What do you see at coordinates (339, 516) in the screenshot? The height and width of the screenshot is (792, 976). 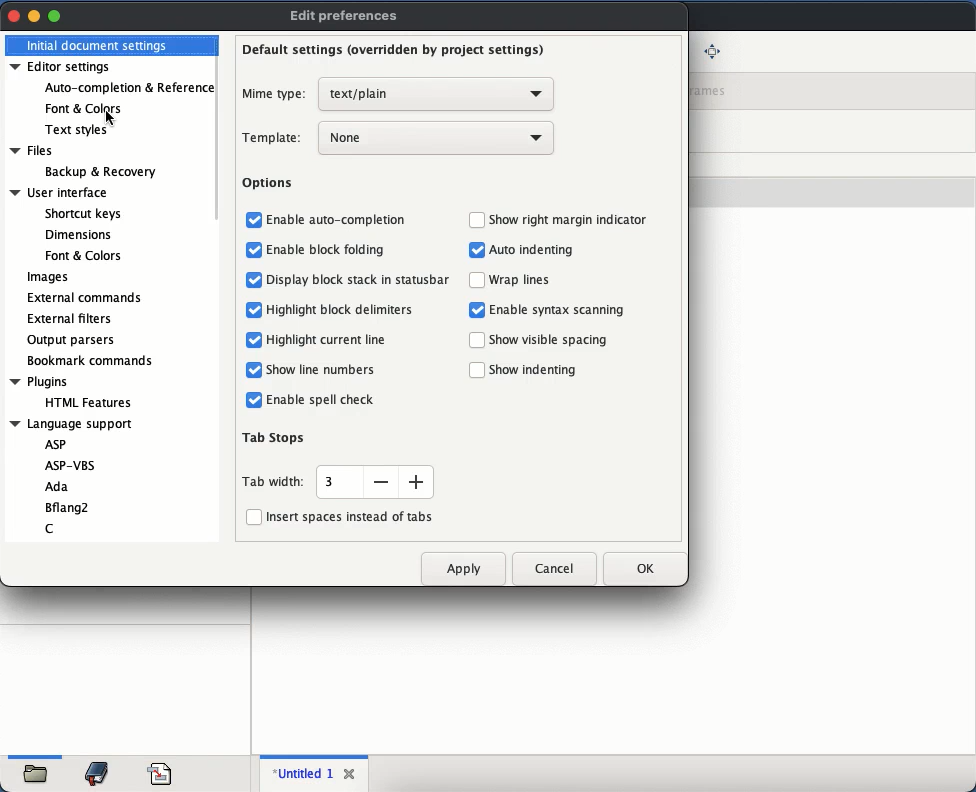 I see `insert spaces instead of tabs` at bounding box center [339, 516].